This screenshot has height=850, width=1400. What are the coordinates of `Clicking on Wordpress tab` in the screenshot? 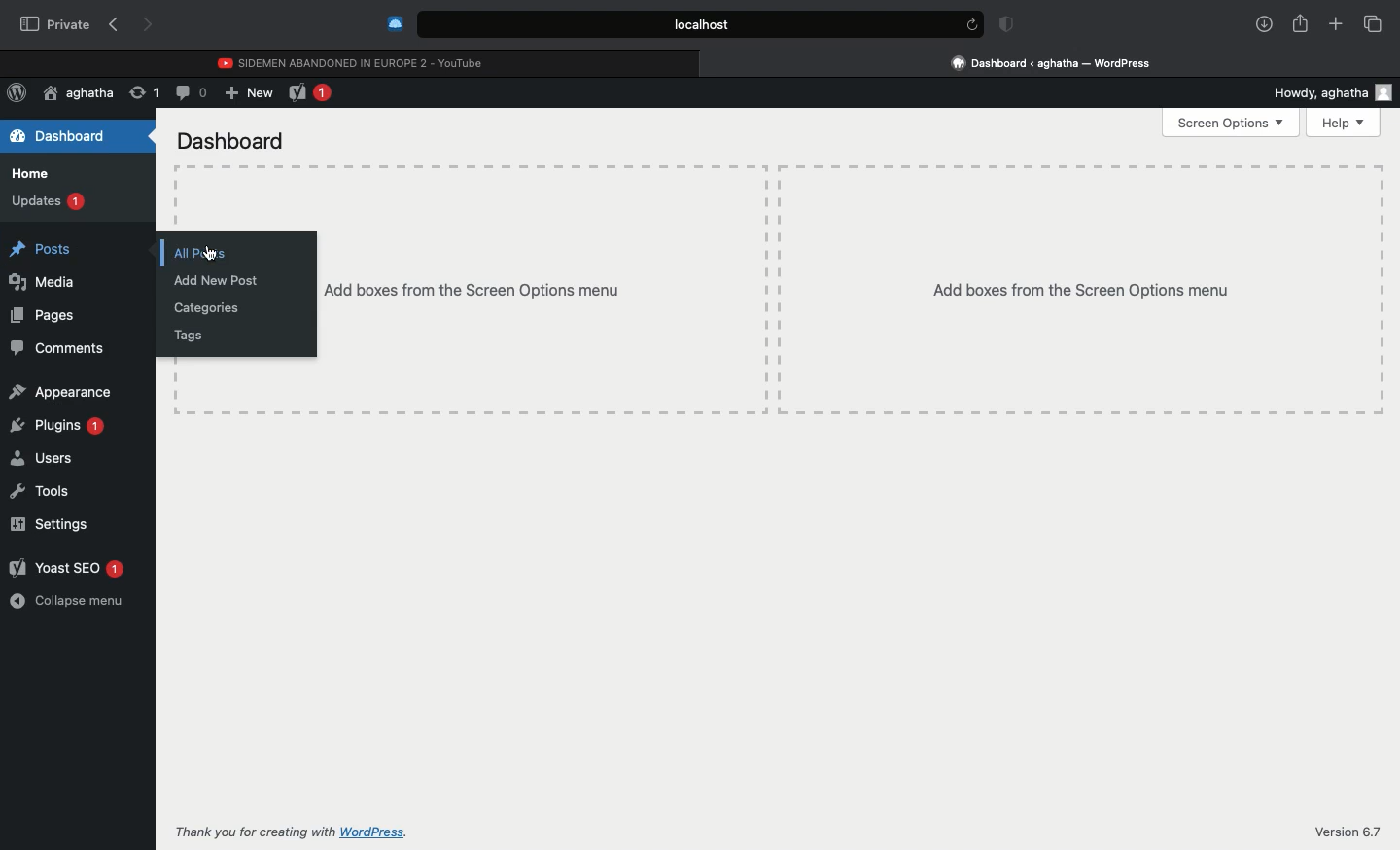 It's located at (1052, 62).